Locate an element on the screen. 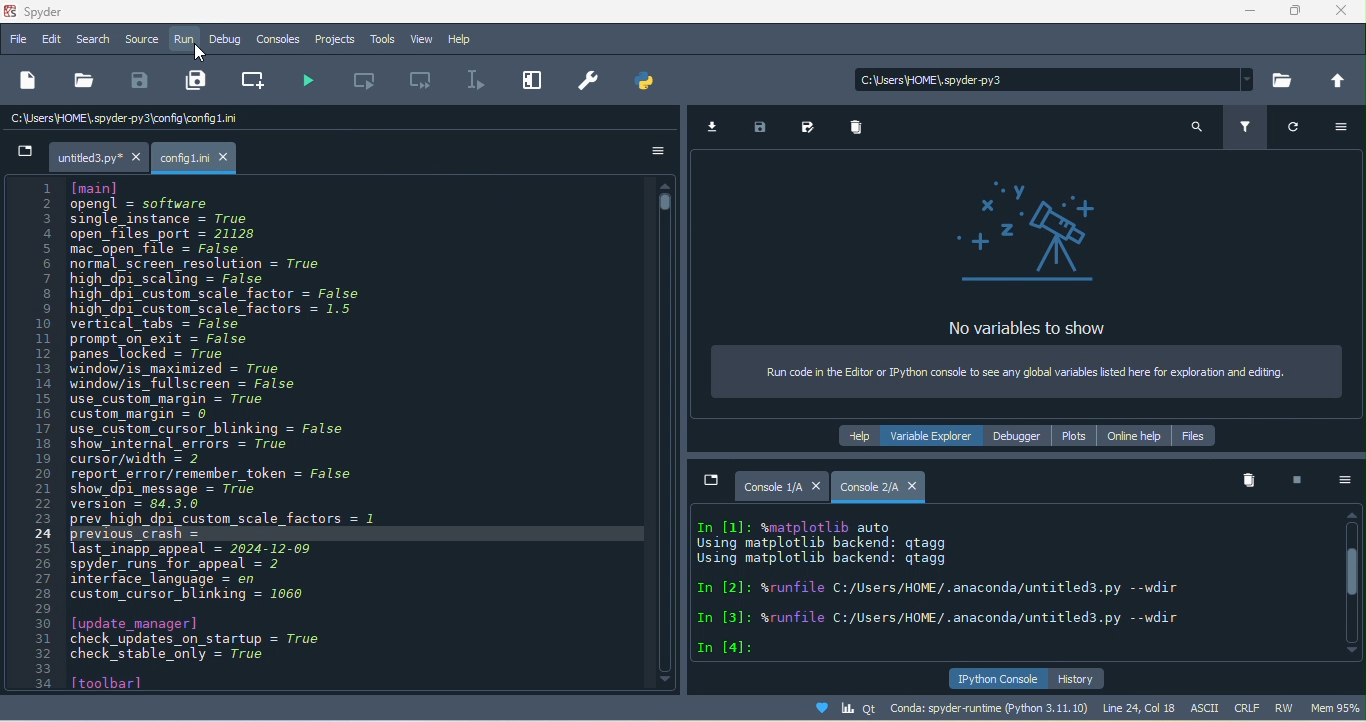  search bar is located at coordinates (1049, 79).